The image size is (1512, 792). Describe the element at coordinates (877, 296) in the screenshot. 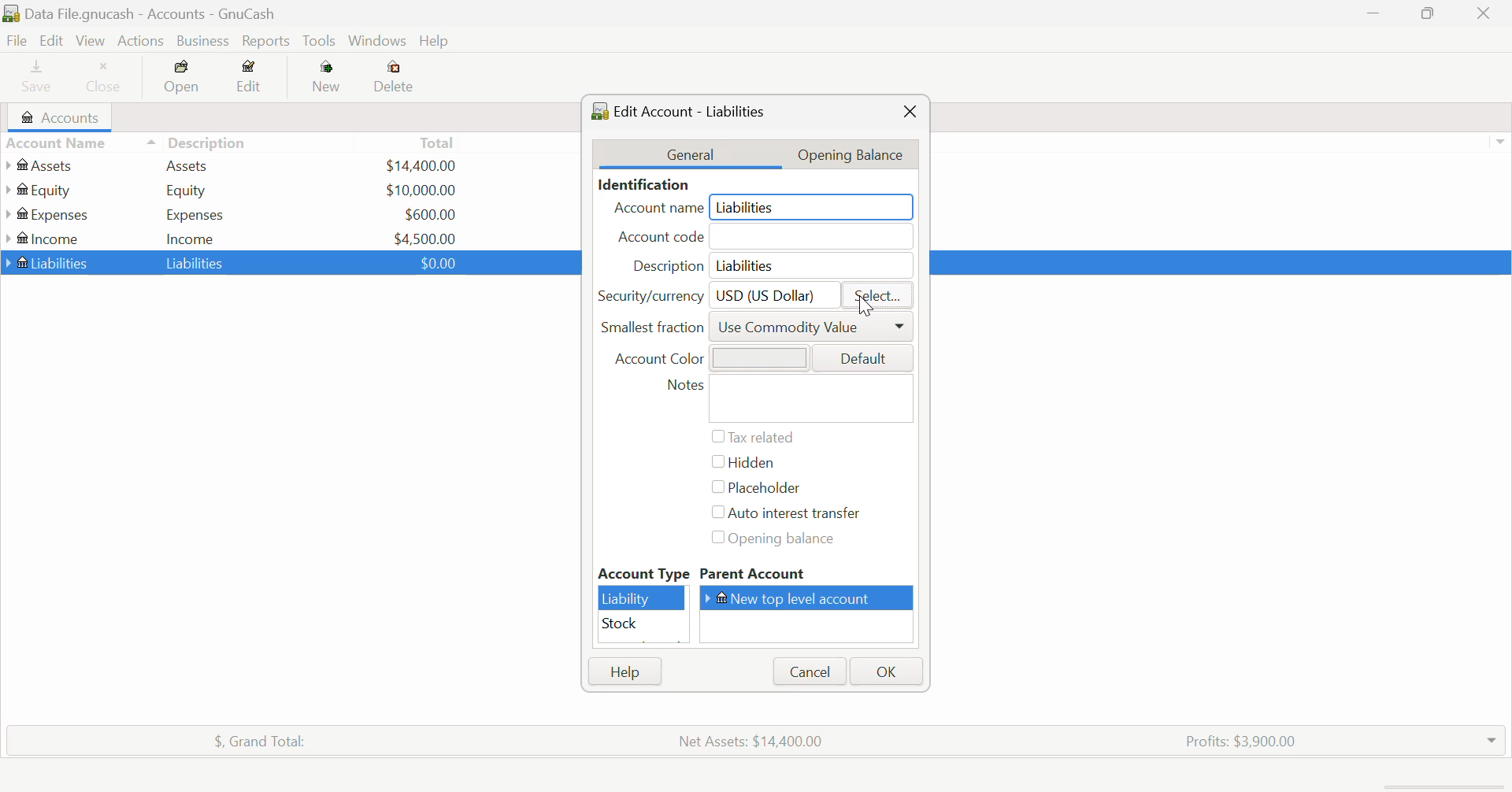

I see `Select...` at that location.